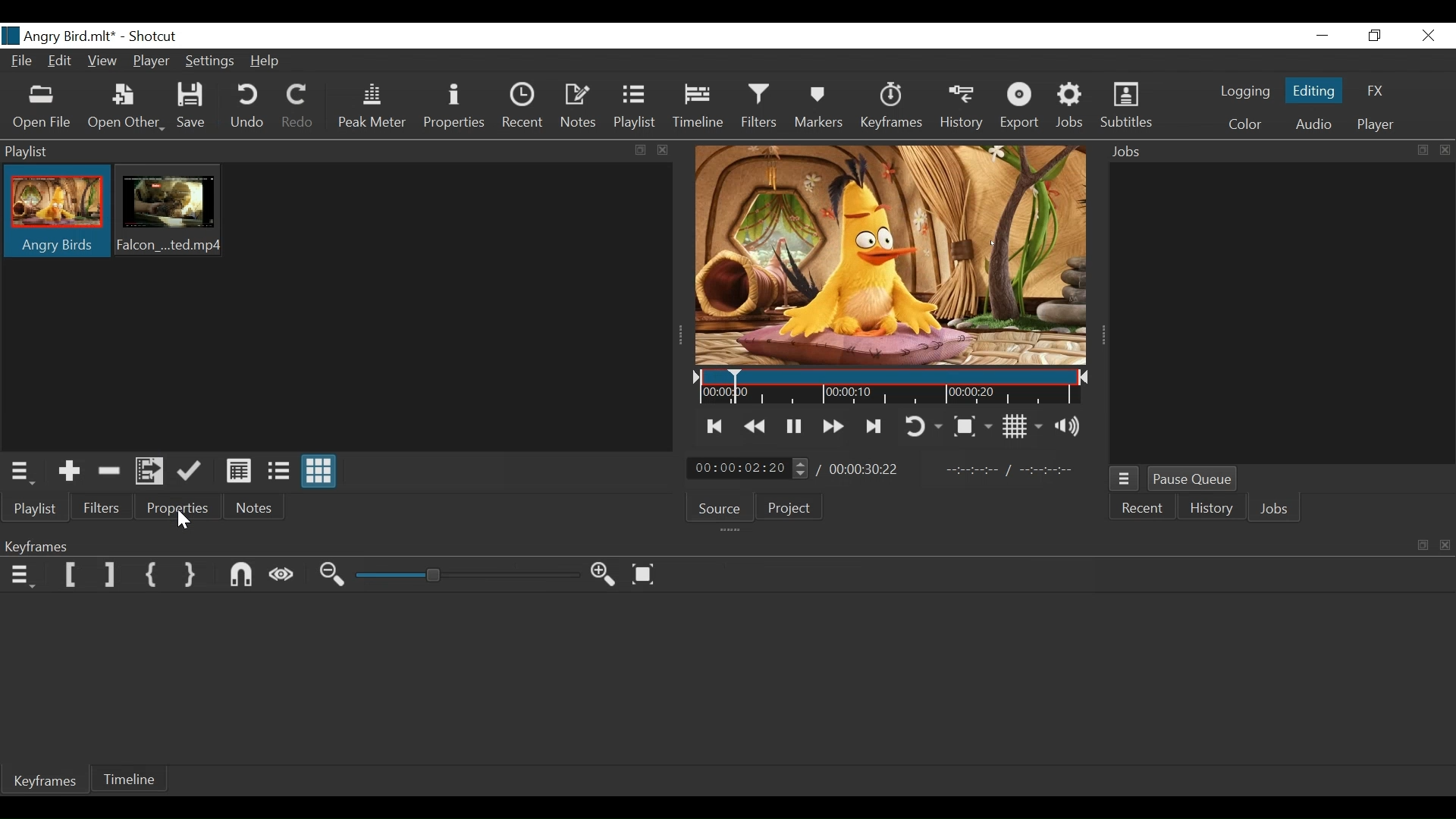 The width and height of the screenshot is (1456, 819). Describe the element at coordinates (190, 472) in the screenshot. I see `Update` at that location.